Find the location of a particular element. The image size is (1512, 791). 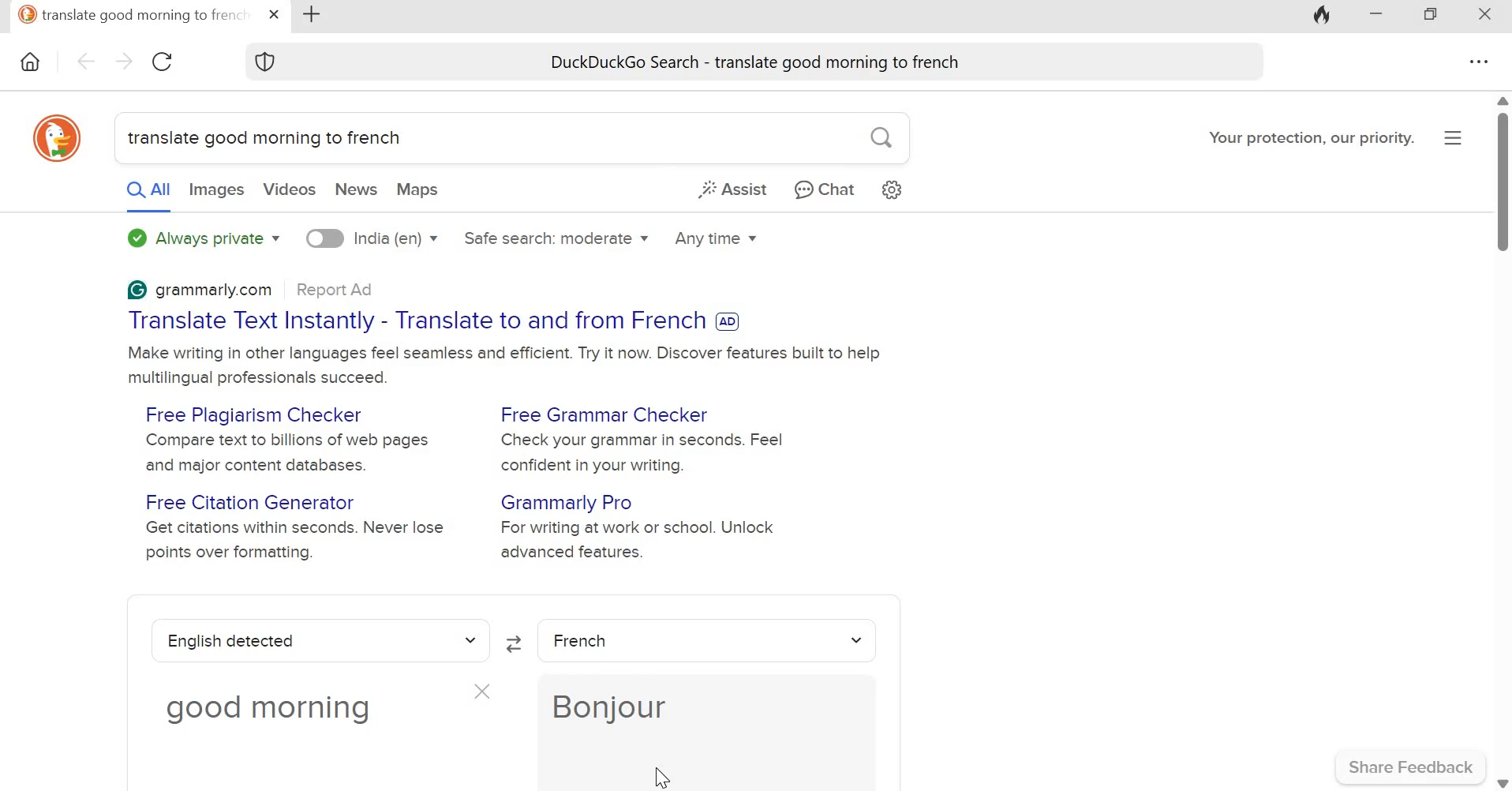

scroll bar is located at coordinates (1499, 441).